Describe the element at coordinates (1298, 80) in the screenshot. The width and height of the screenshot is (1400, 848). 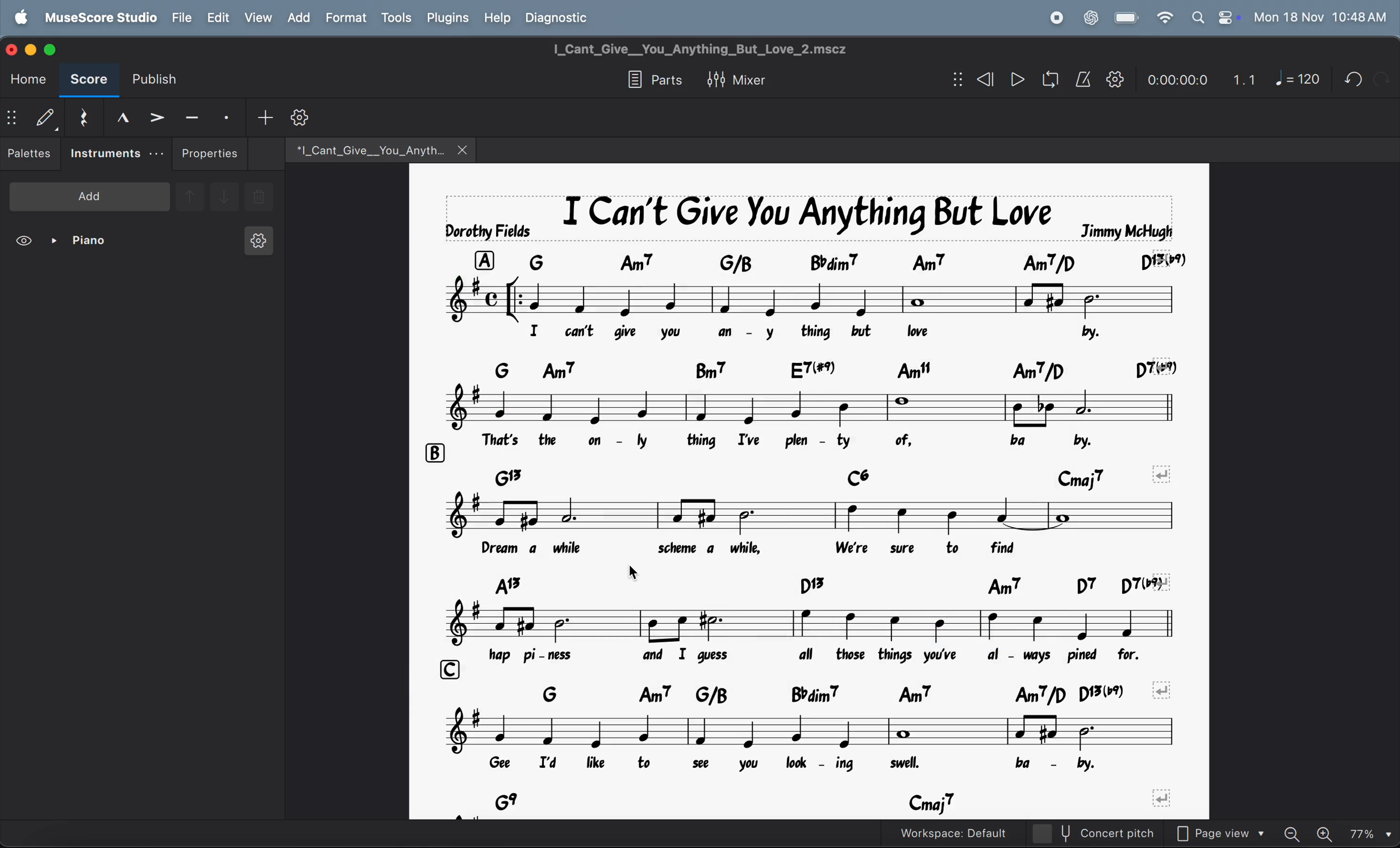
I see `note 120` at that location.